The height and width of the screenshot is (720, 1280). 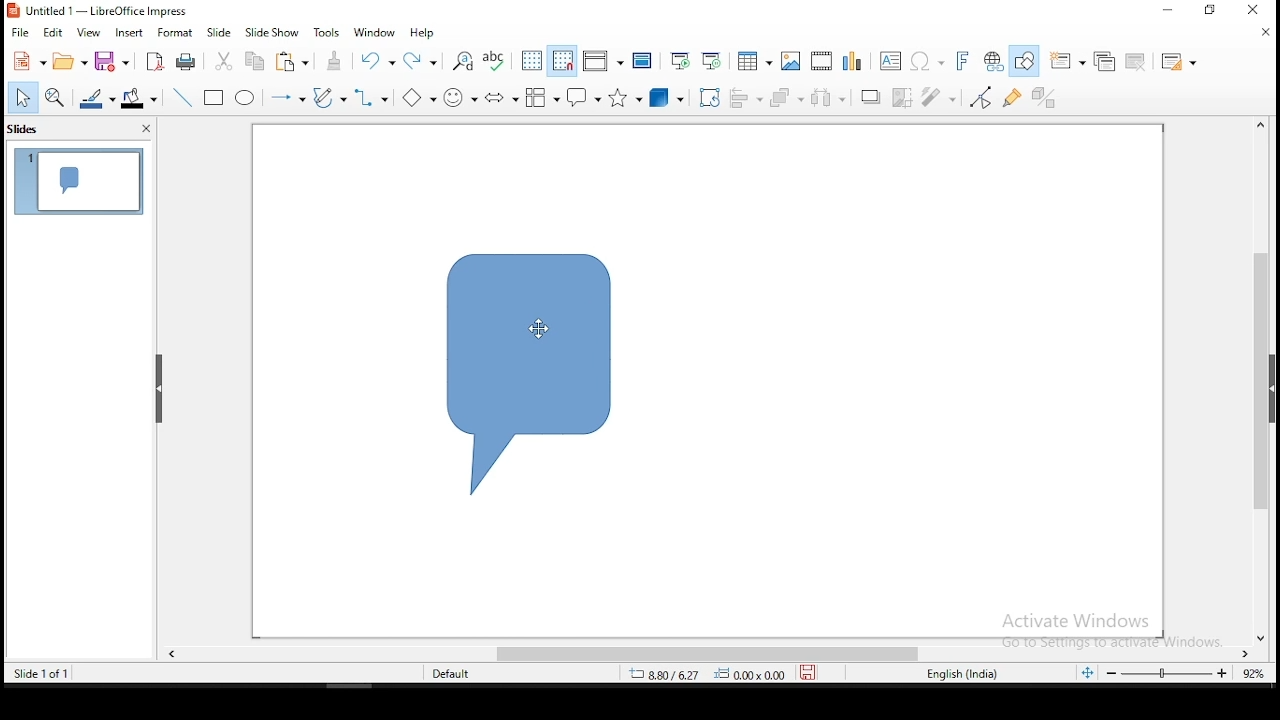 I want to click on slide 1, so click(x=76, y=181).